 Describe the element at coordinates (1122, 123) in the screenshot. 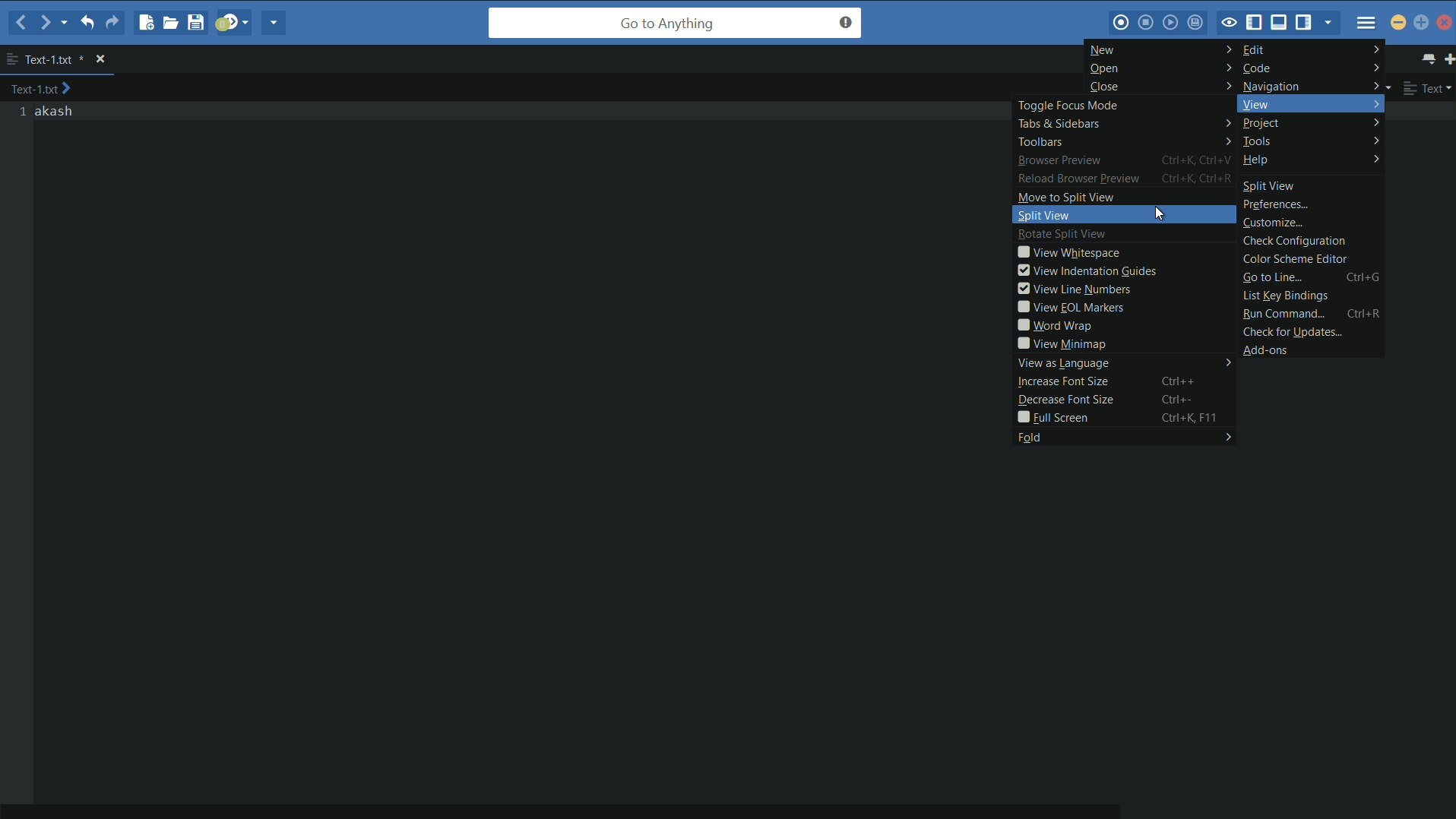

I see `tabs and sidebars` at that location.